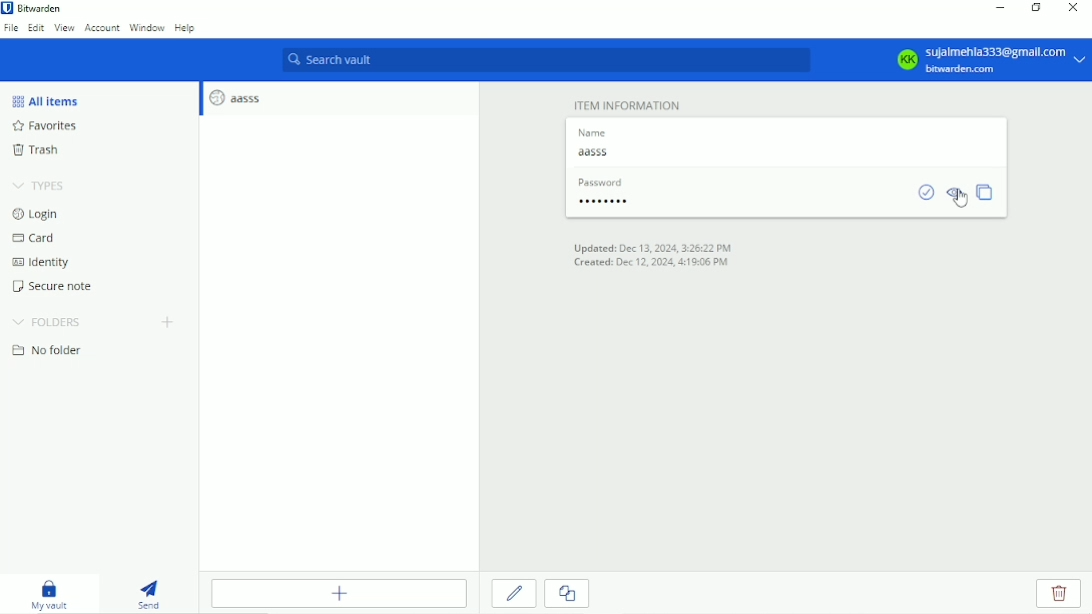 The image size is (1092, 614). Describe the element at coordinates (64, 30) in the screenshot. I see `View` at that location.